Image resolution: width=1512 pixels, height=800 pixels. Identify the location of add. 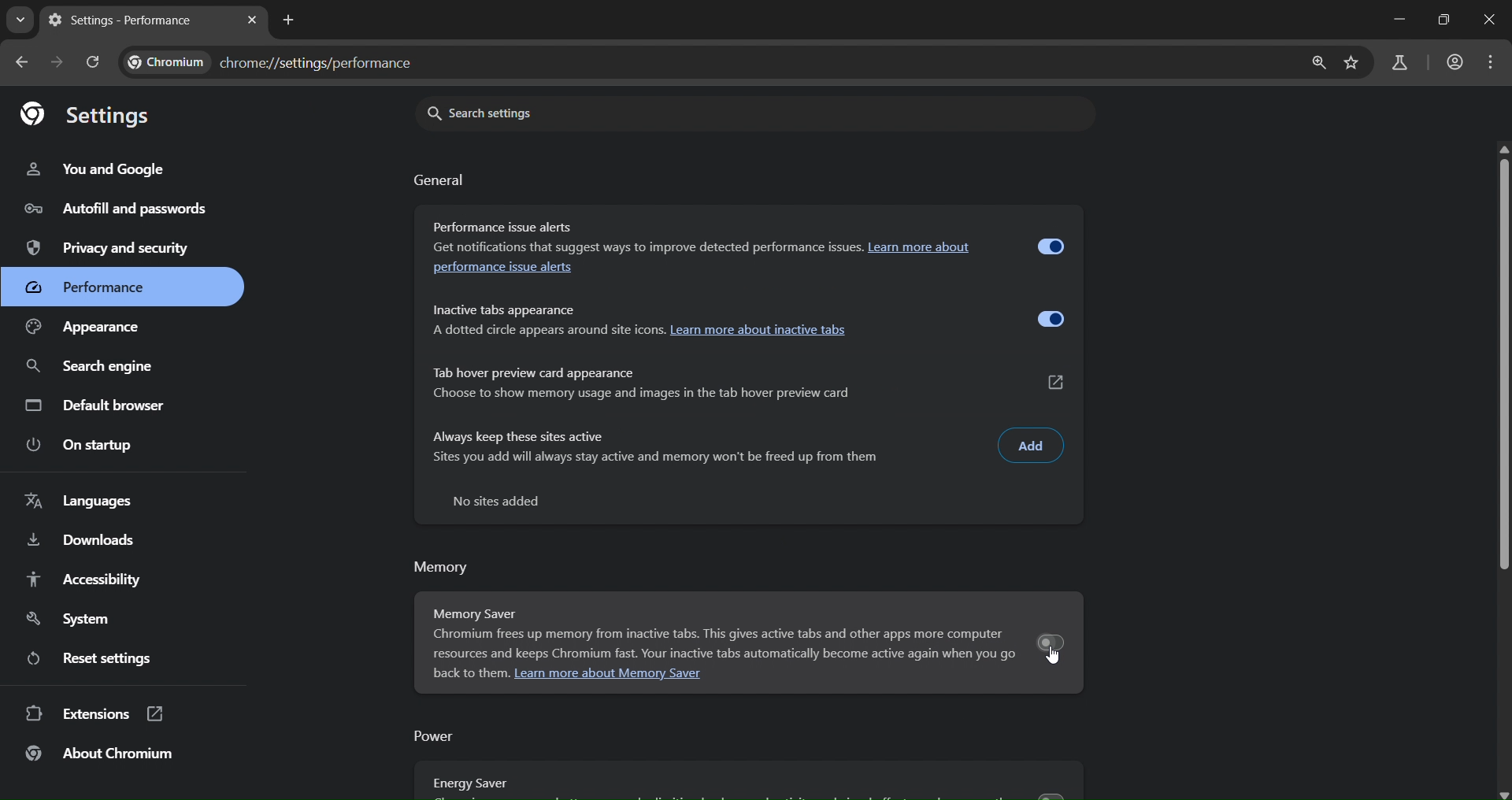
(1034, 445).